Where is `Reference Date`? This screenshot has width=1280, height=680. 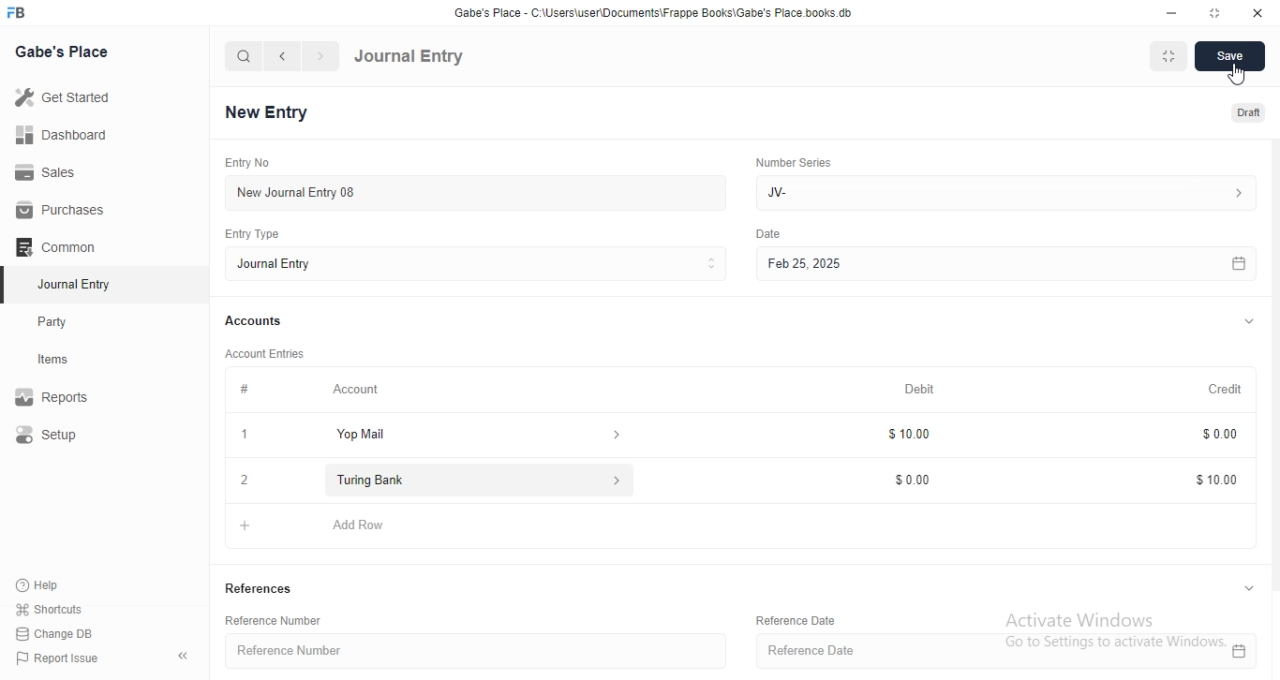 Reference Date is located at coordinates (1004, 648).